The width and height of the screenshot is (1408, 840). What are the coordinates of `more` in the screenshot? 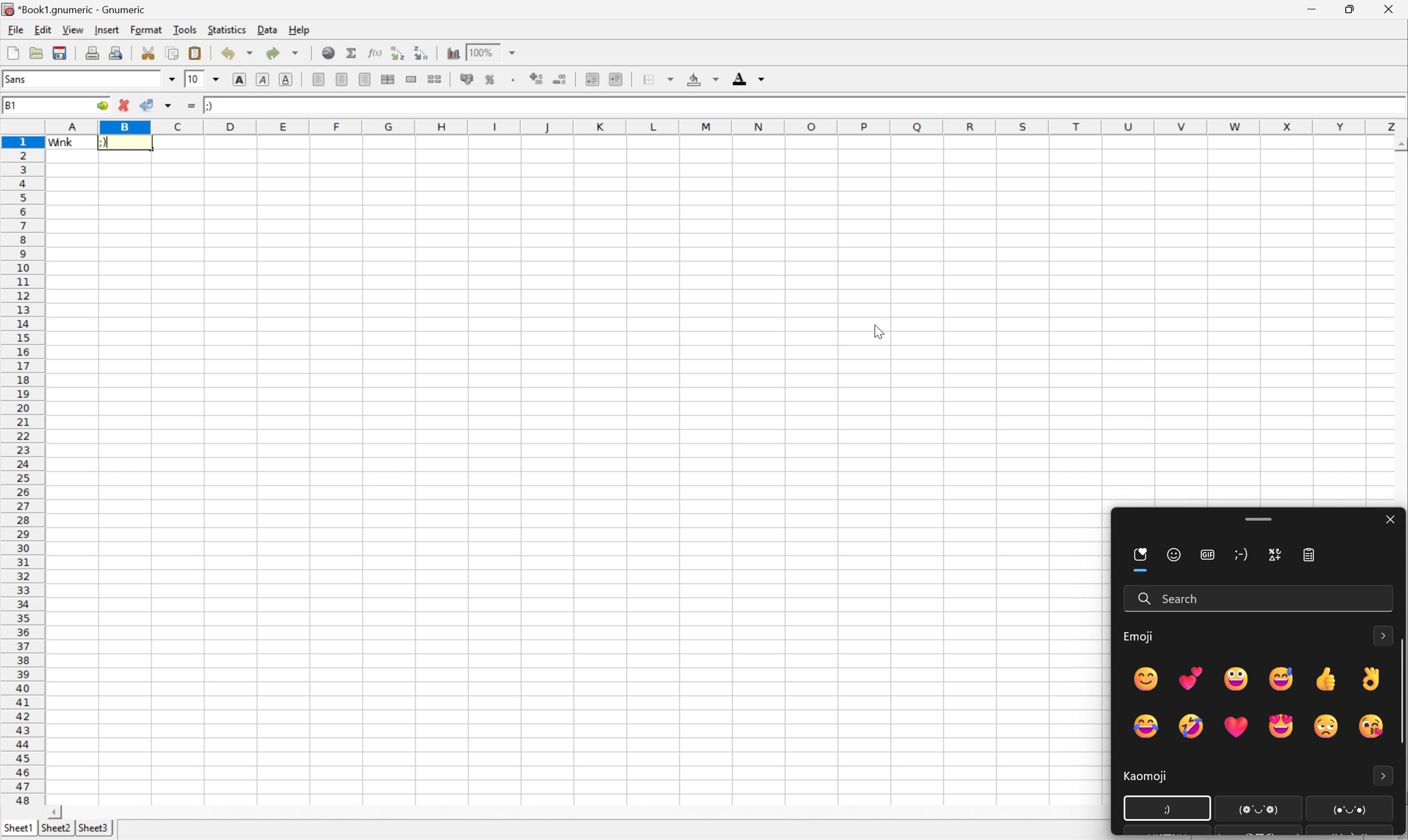 It's located at (1384, 634).